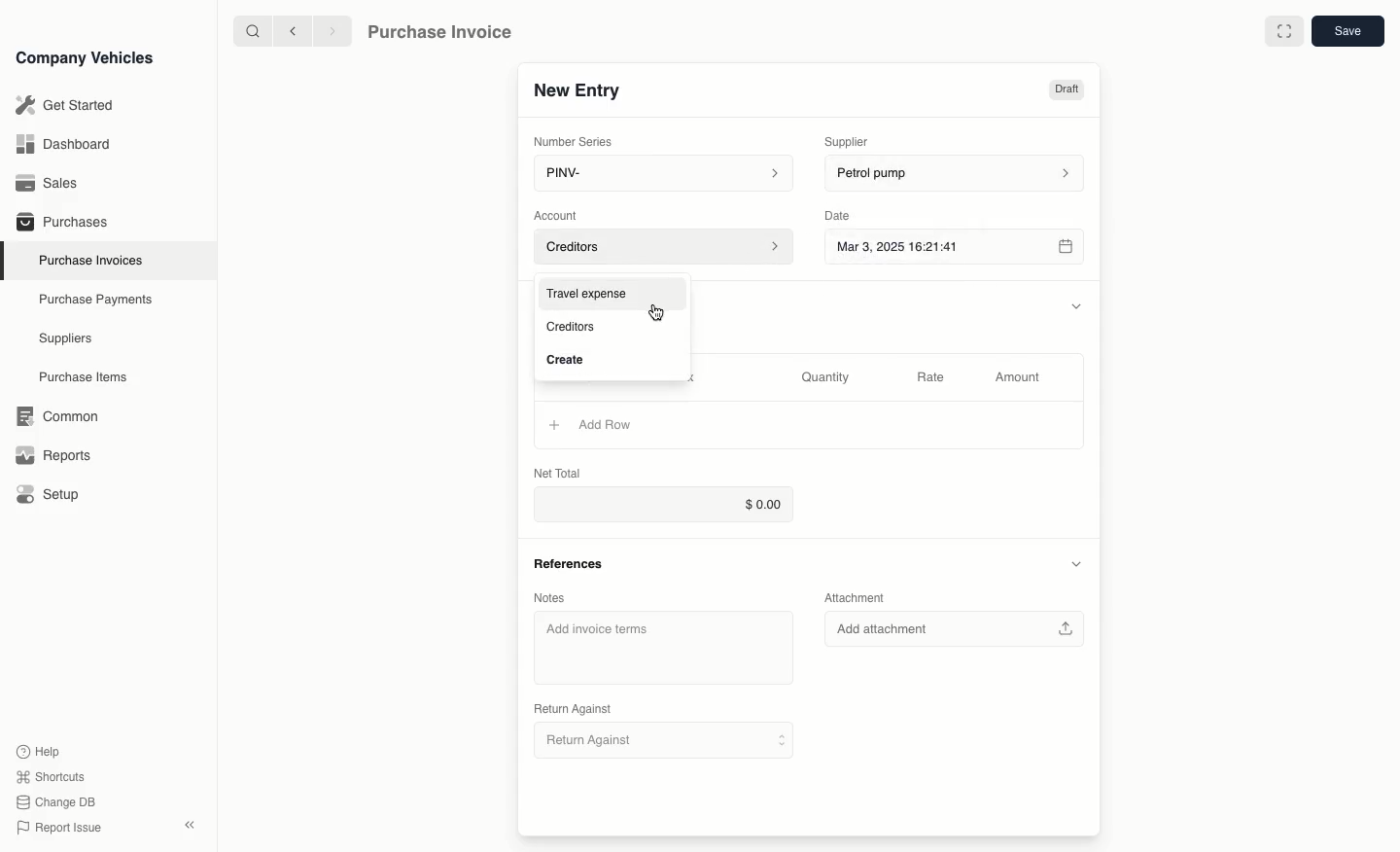 The image size is (1400, 852). What do you see at coordinates (838, 216) in the screenshot?
I see `Date` at bounding box center [838, 216].